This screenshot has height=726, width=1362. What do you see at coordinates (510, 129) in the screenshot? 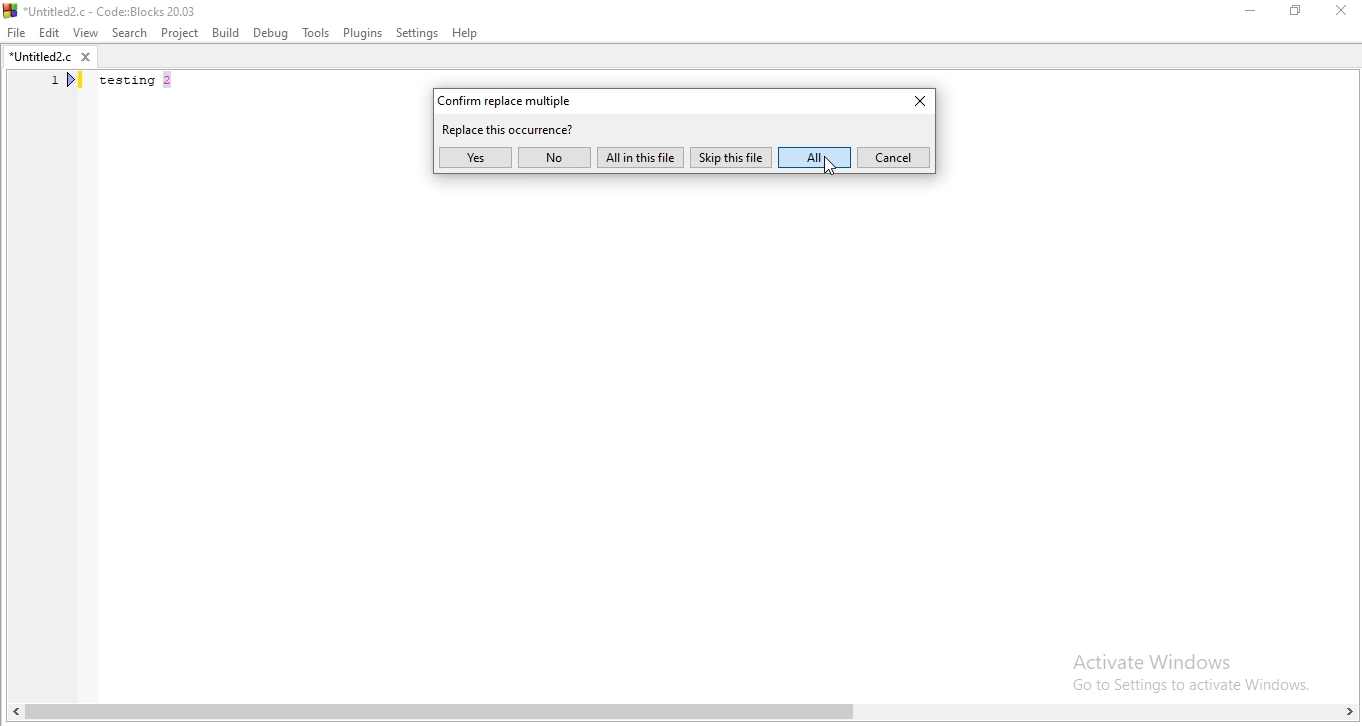
I see `replace this occurence` at bounding box center [510, 129].